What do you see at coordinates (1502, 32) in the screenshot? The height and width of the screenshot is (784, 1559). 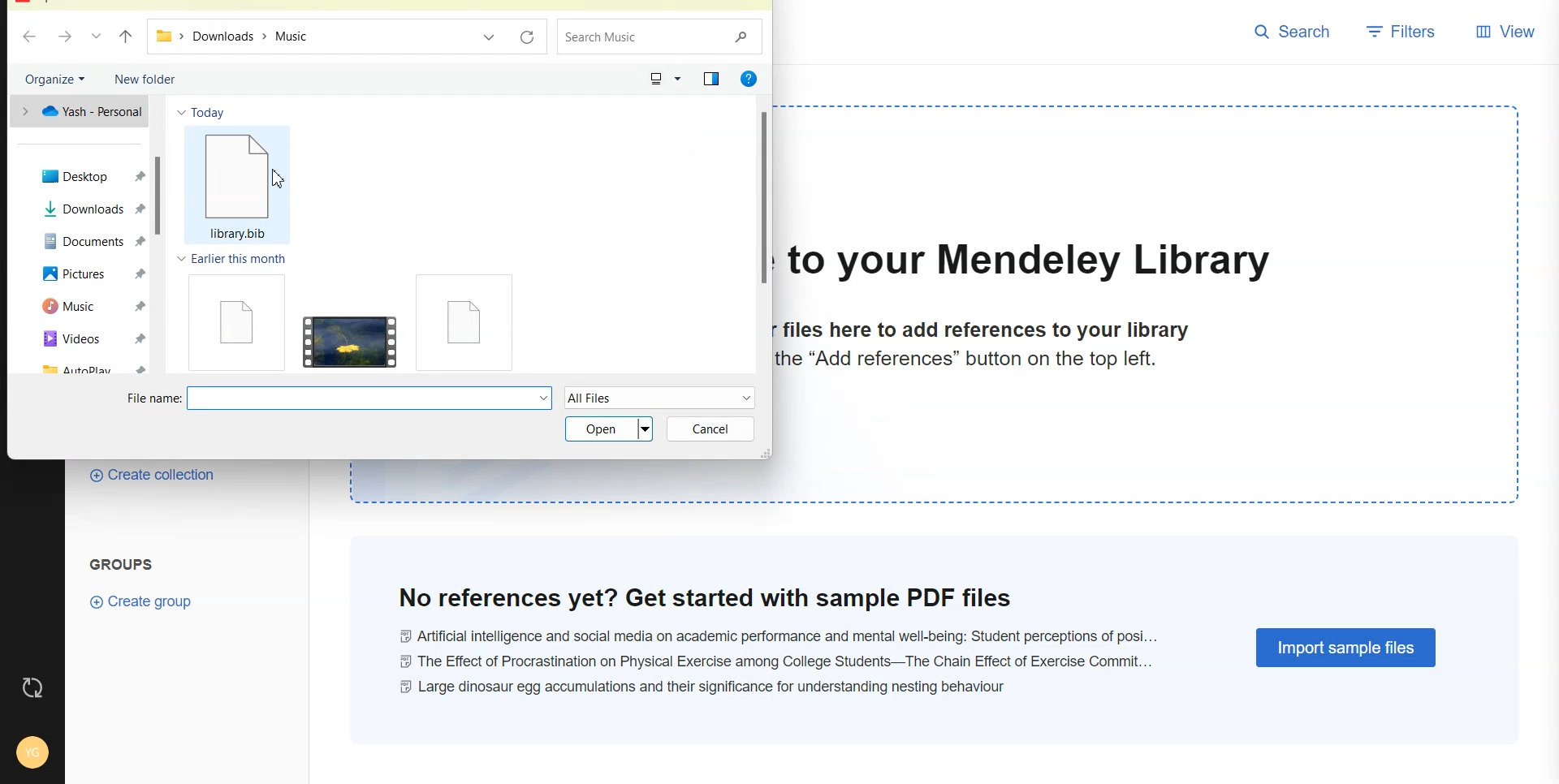 I see `View` at bounding box center [1502, 32].